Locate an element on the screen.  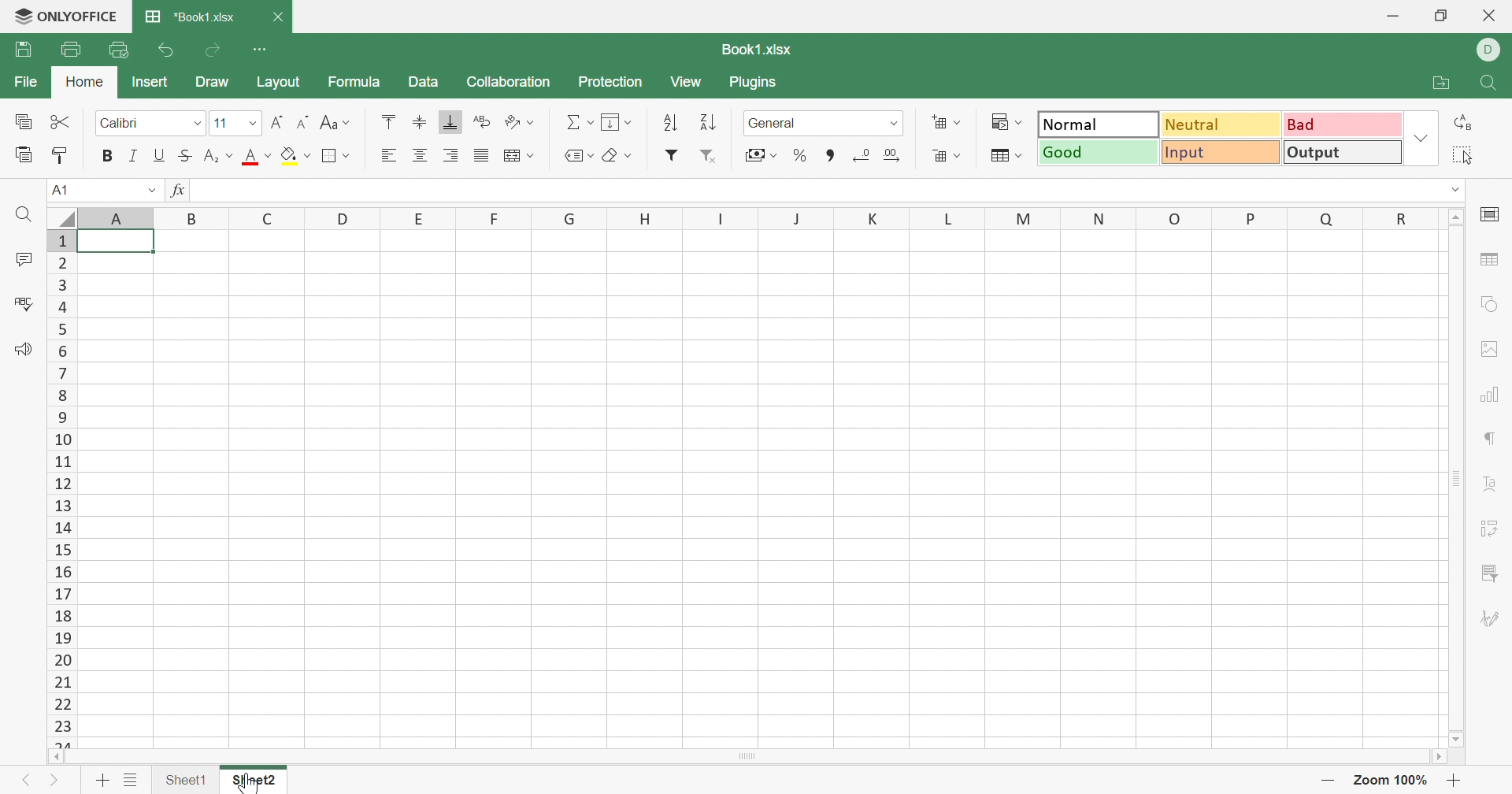
Check Spelling is located at coordinates (24, 303).